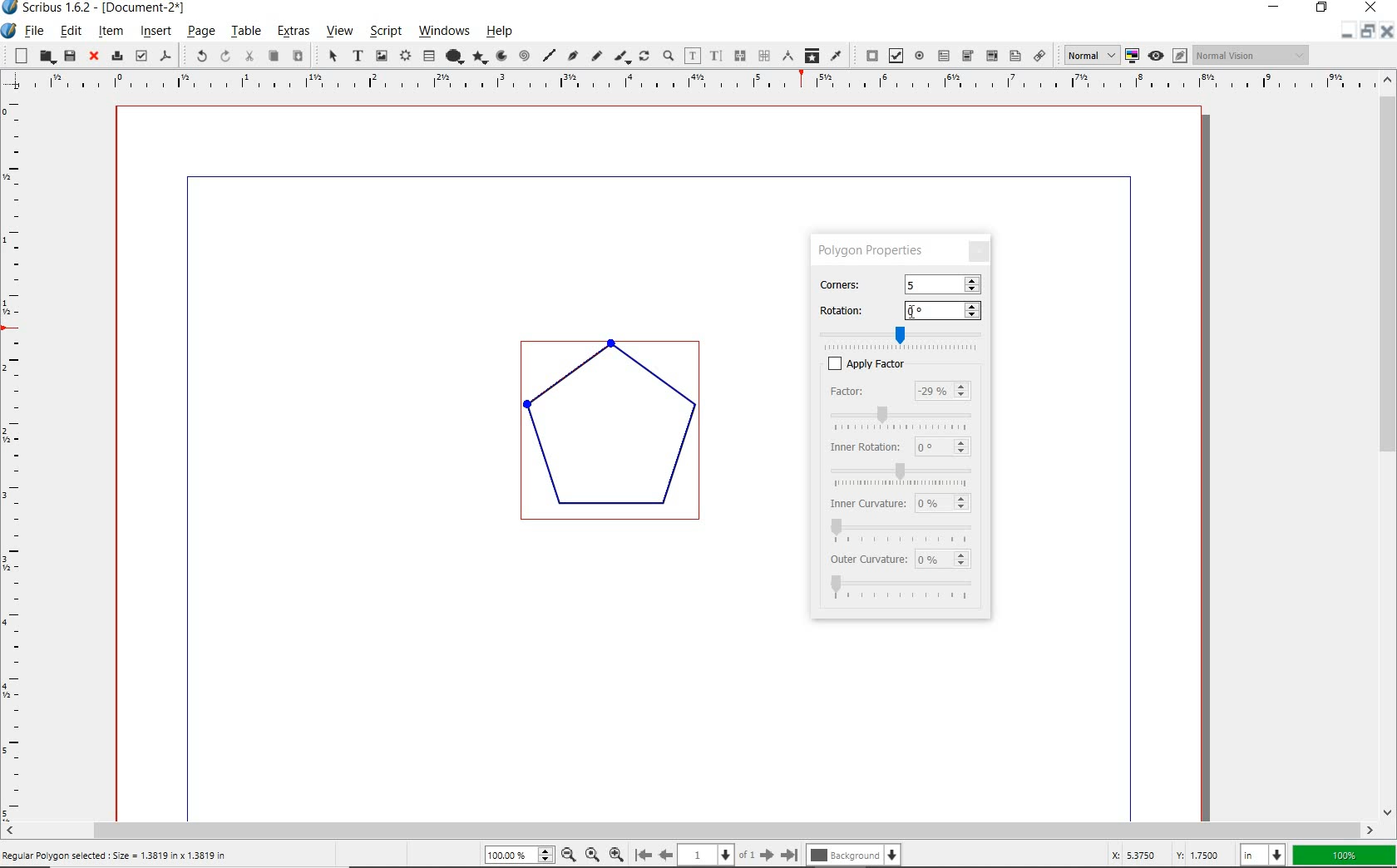  What do you see at coordinates (44, 57) in the screenshot?
I see `open` at bounding box center [44, 57].